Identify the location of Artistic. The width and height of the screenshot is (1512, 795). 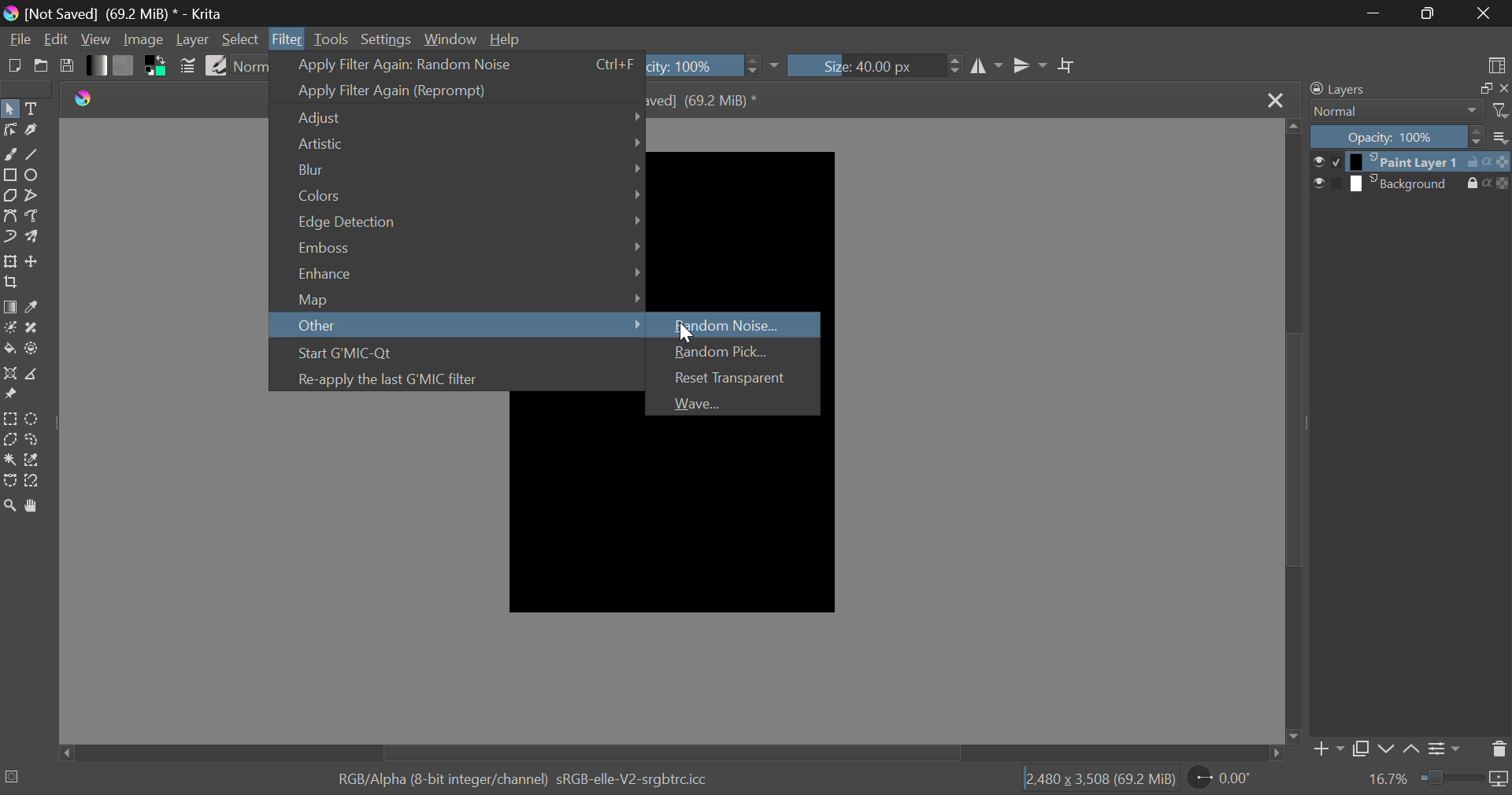
(461, 142).